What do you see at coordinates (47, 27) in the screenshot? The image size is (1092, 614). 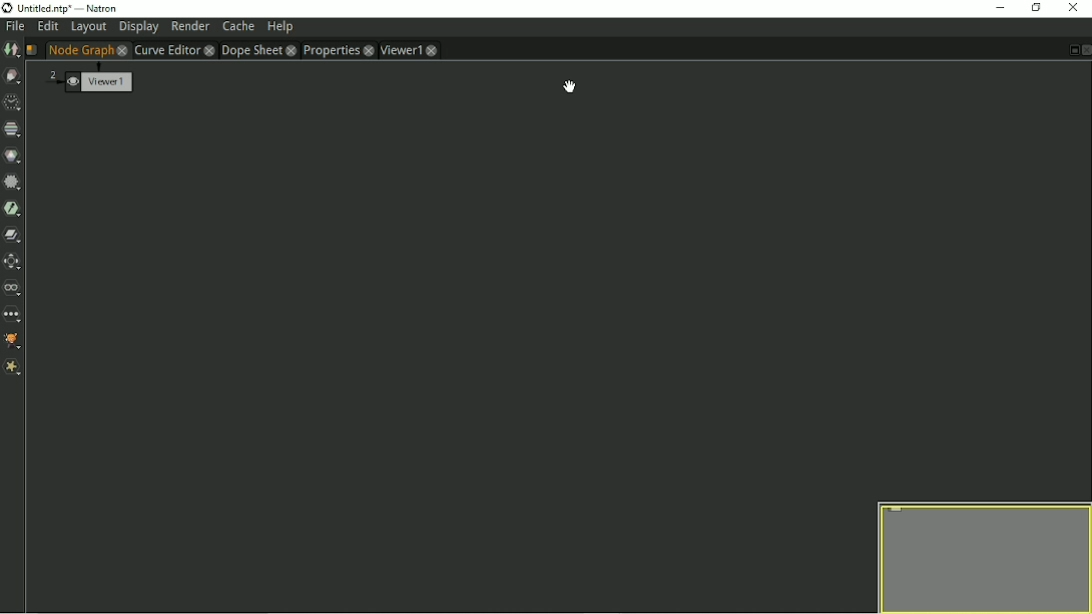 I see `Edit` at bounding box center [47, 27].